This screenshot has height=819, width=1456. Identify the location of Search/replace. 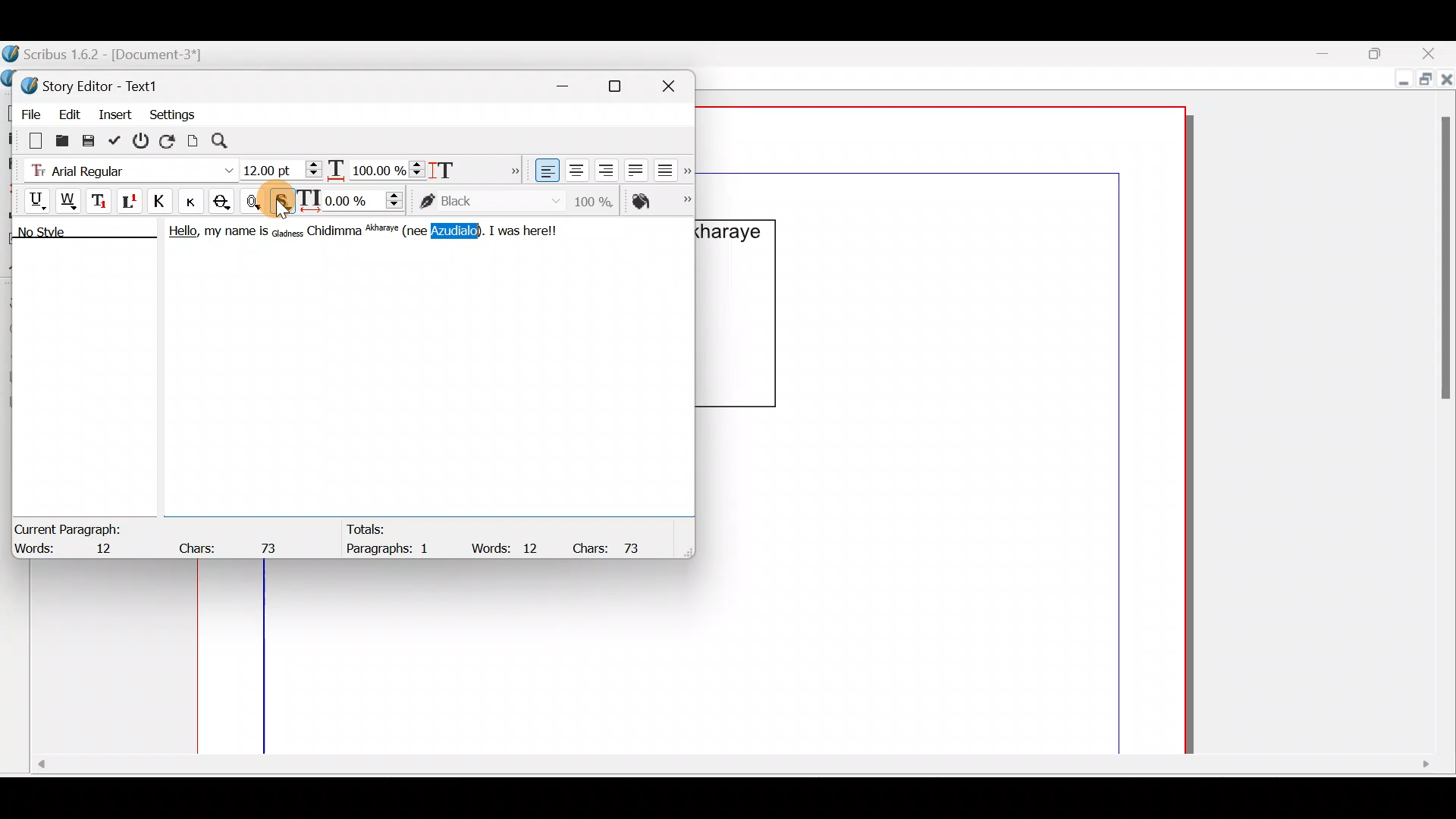
(228, 141).